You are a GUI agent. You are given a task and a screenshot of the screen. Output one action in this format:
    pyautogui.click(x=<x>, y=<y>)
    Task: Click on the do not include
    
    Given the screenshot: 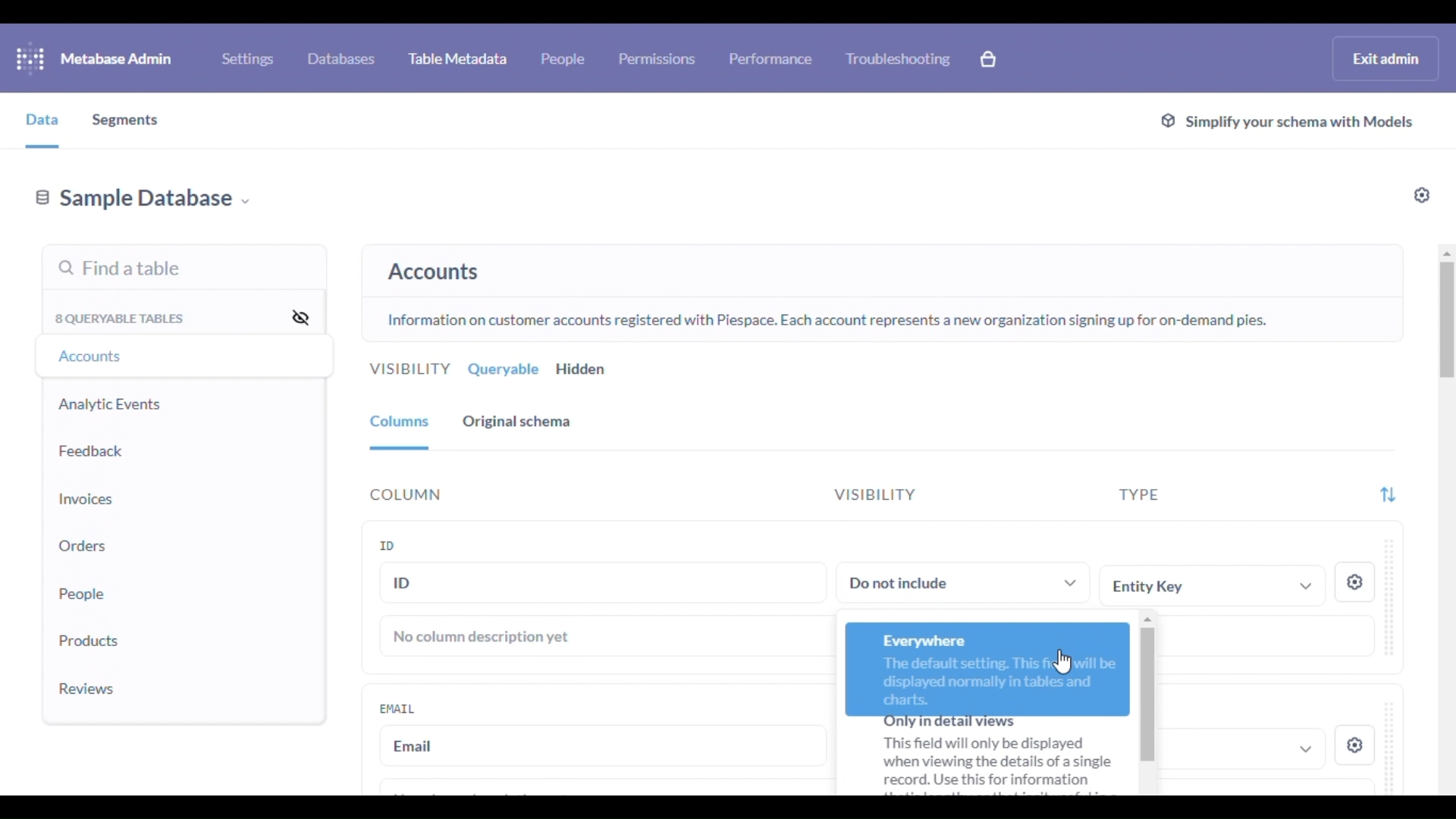 What is the action you would take?
    pyautogui.click(x=964, y=581)
    